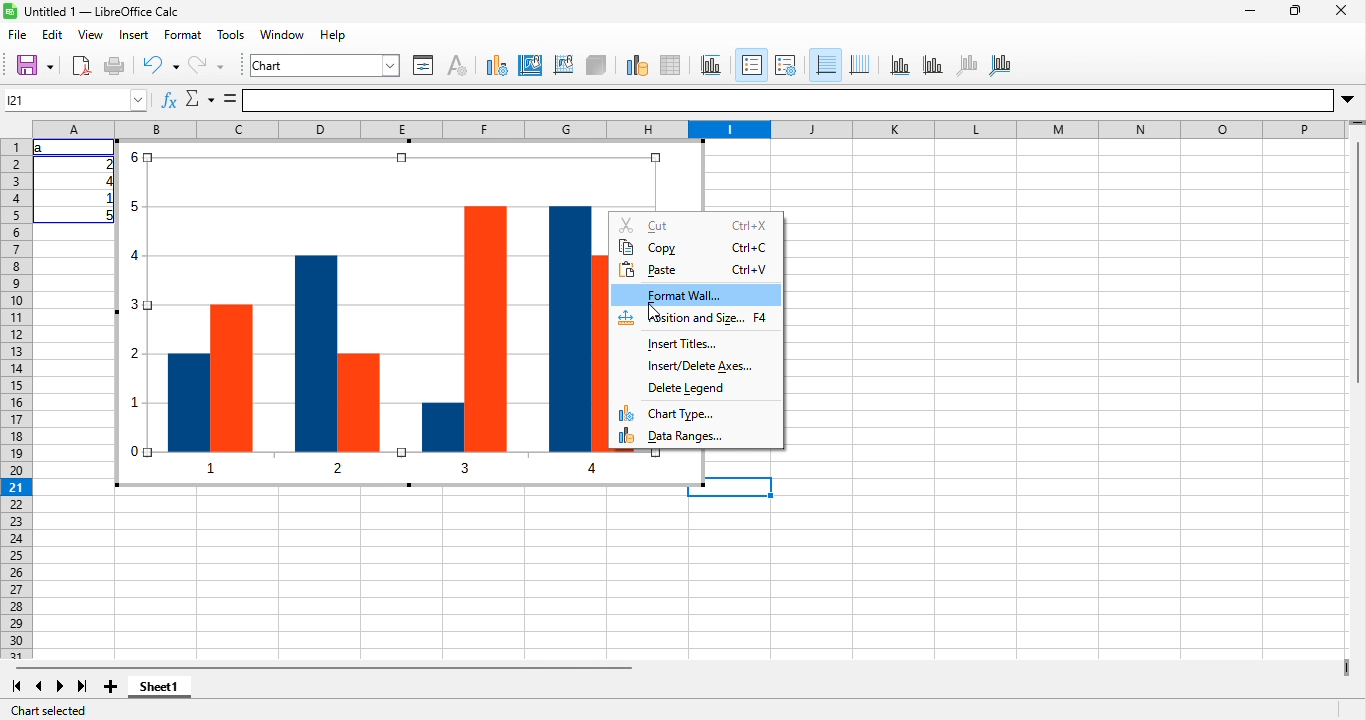 The height and width of the screenshot is (720, 1366). Describe the element at coordinates (106, 198) in the screenshot. I see `1` at that location.